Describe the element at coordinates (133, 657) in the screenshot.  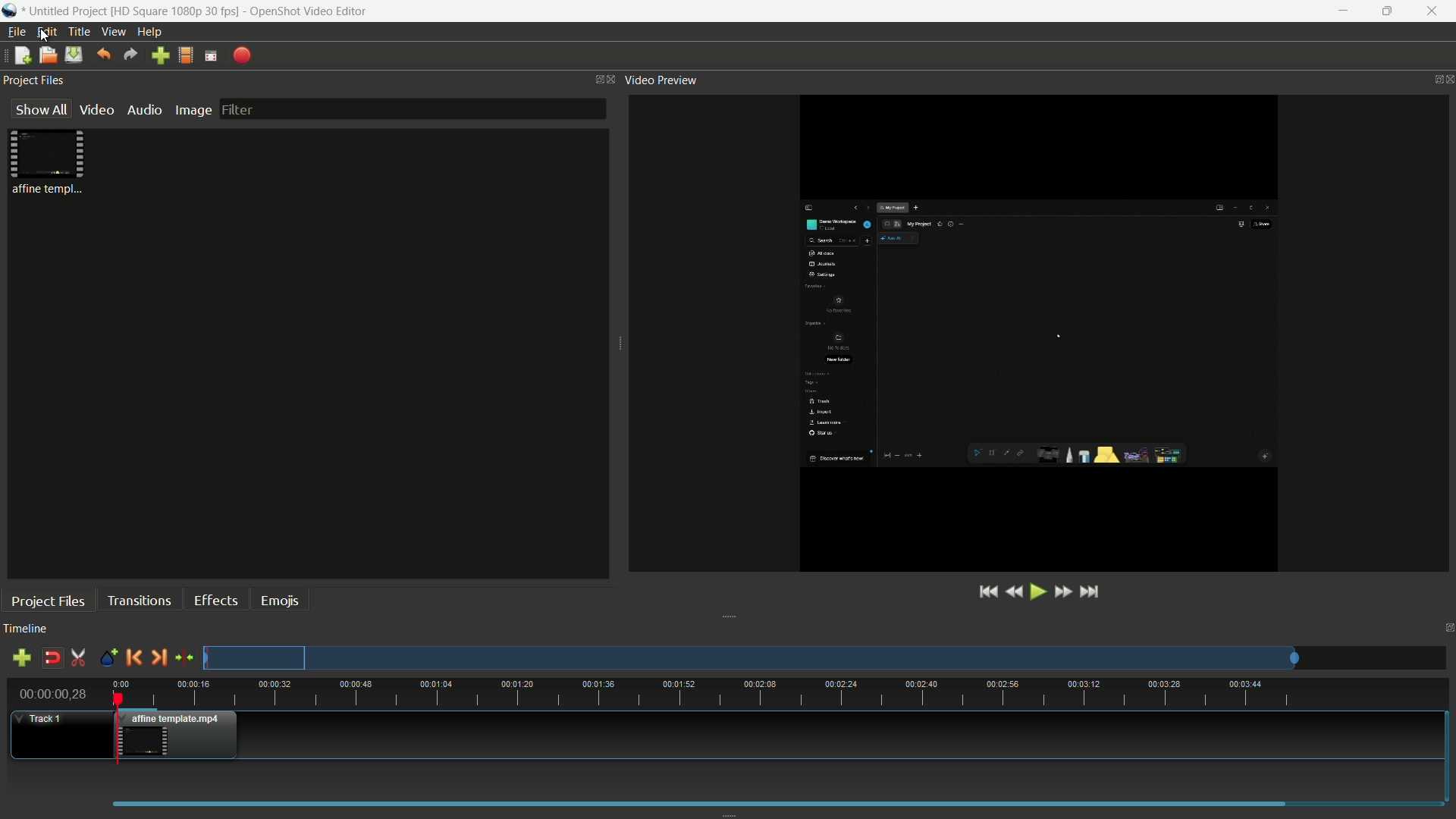
I see `previous marker` at that location.